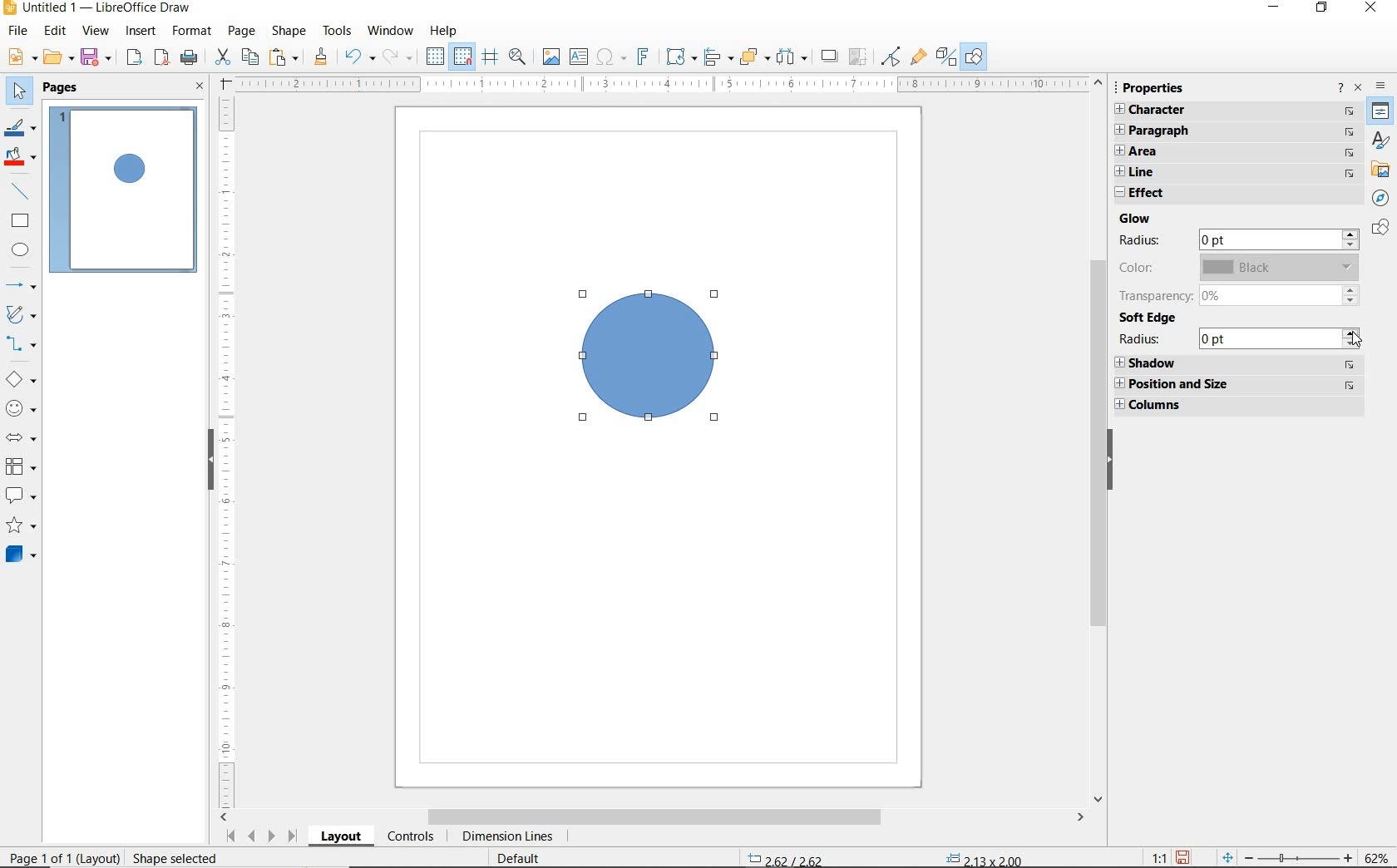 Image resolution: width=1397 pixels, height=868 pixels. I want to click on TOGGLE EXTRUSION, so click(945, 58).